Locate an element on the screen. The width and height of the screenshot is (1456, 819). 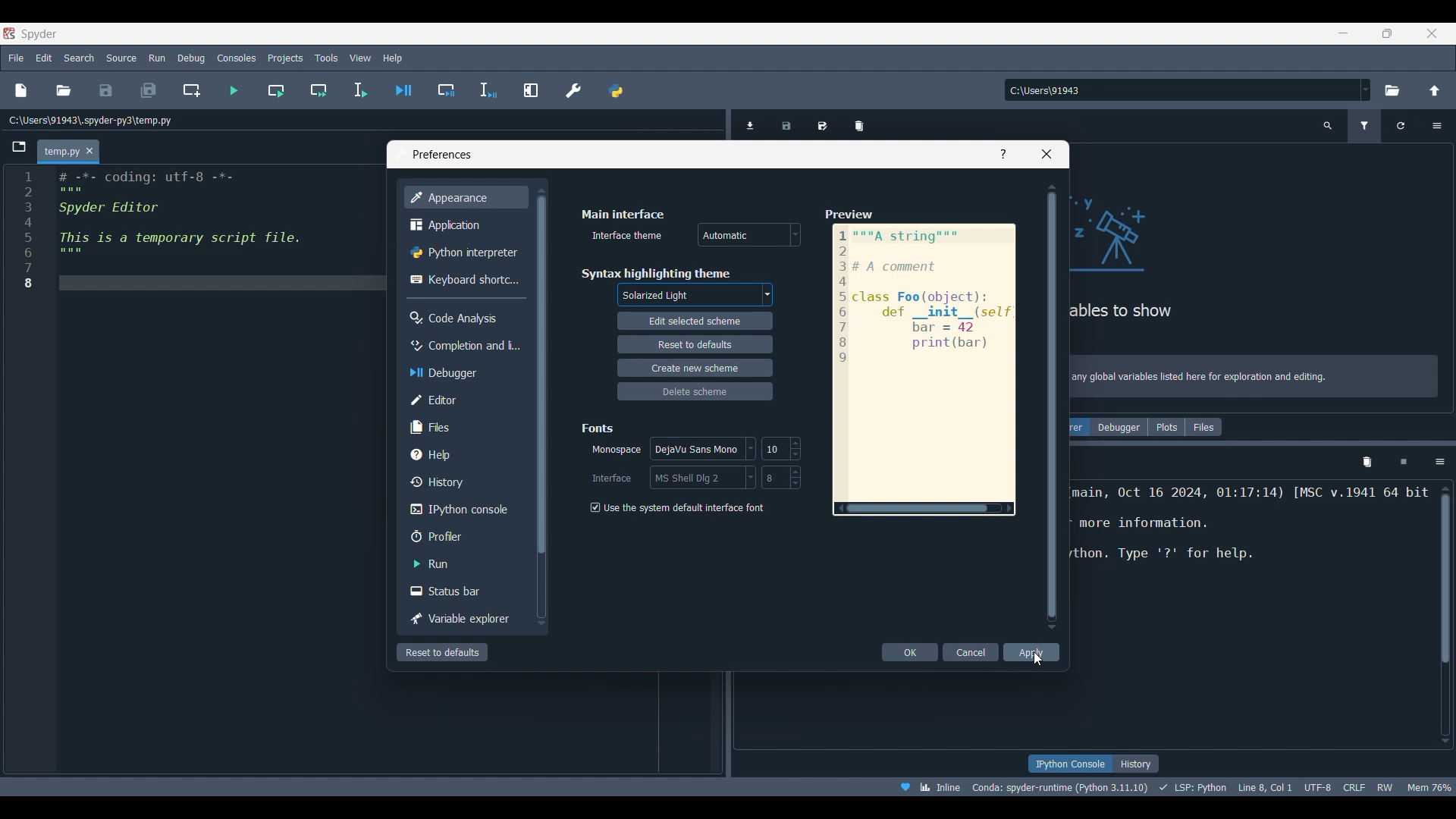
Debug cell is located at coordinates (446, 90).